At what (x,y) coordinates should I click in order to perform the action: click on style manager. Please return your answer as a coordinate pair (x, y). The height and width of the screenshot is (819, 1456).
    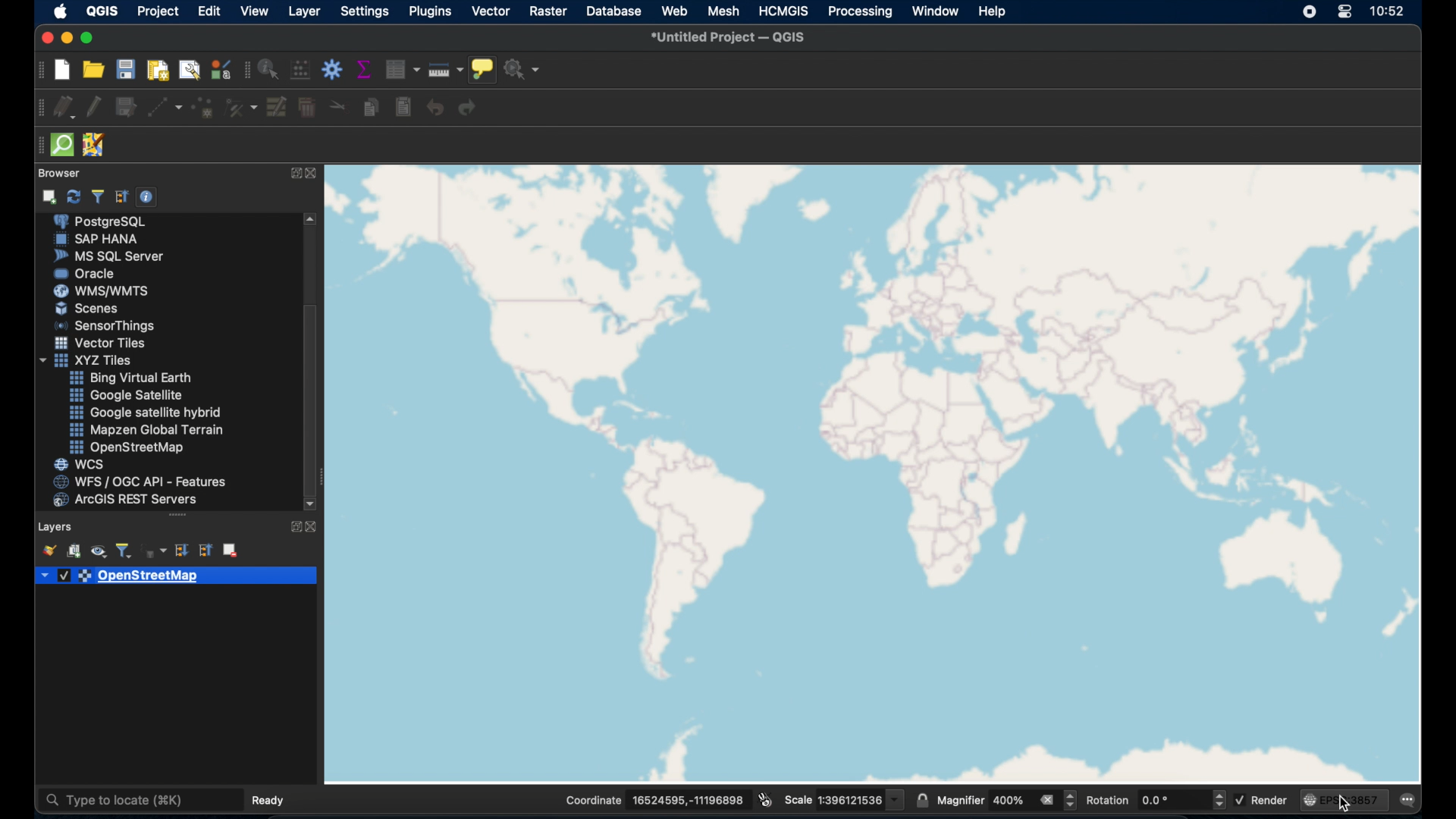
    Looking at the image, I should click on (220, 69).